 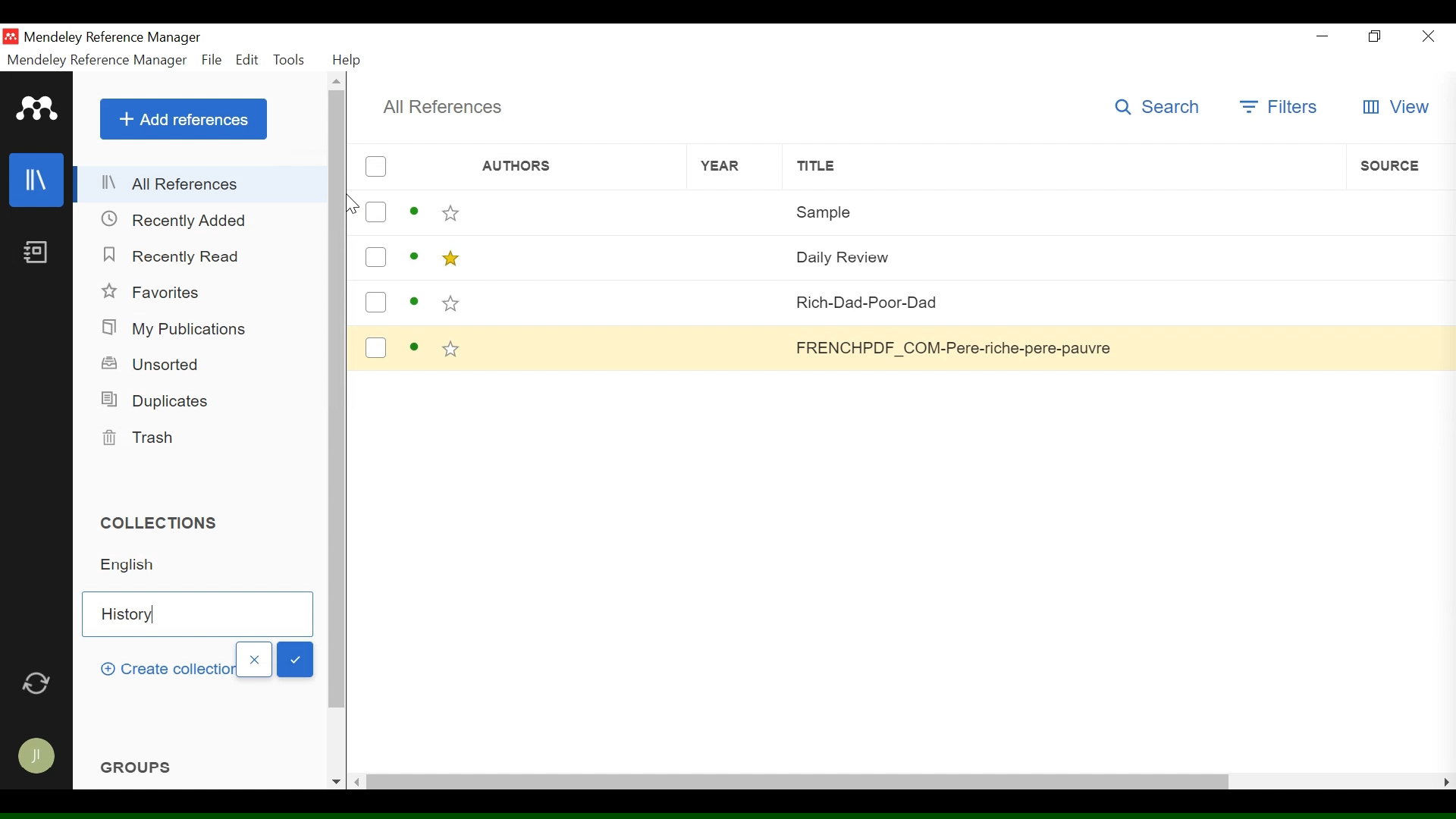 What do you see at coordinates (1395, 108) in the screenshot?
I see `View` at bounding box center [1395, 108].